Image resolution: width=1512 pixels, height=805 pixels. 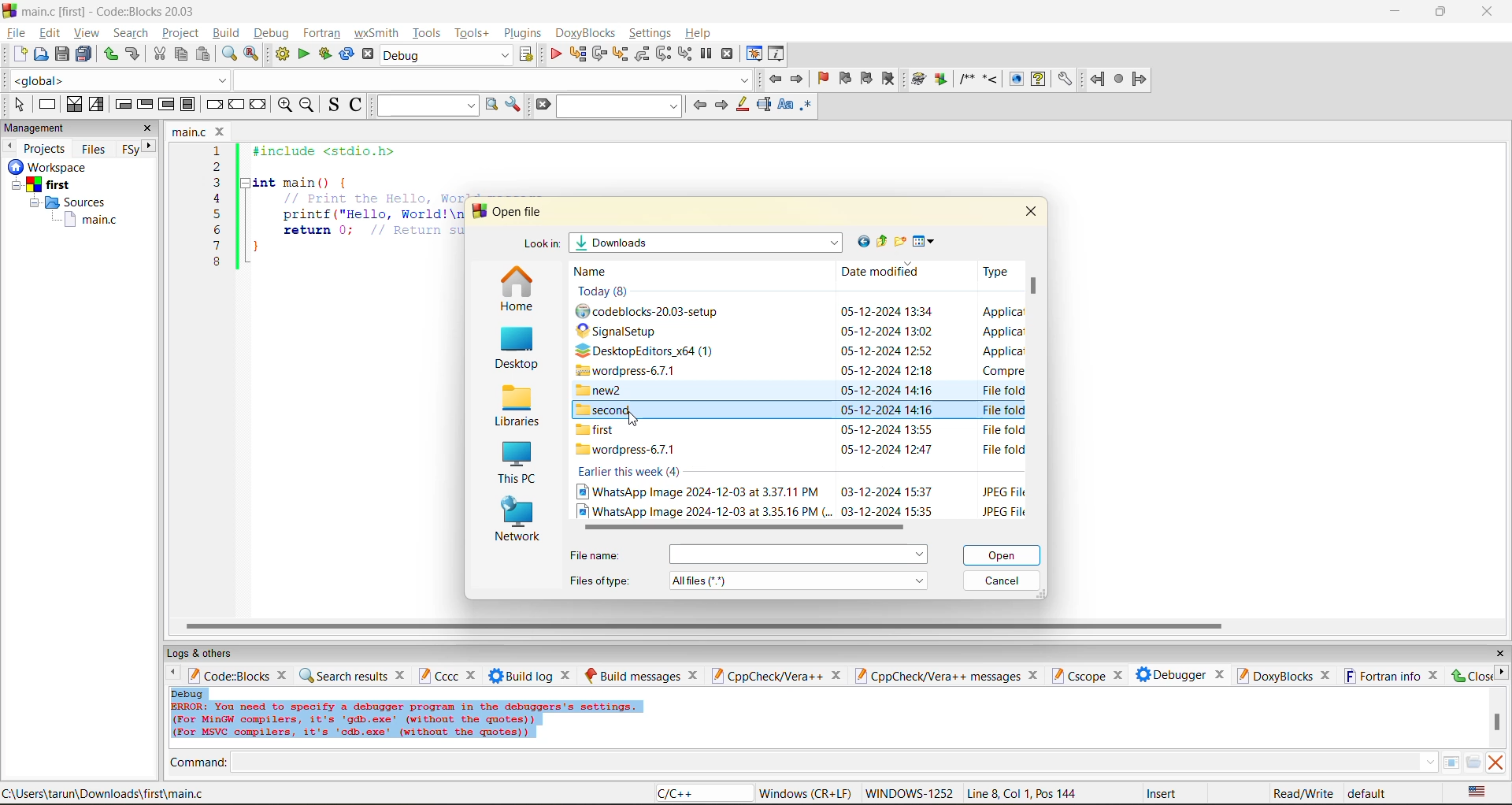 I want to click on 2, so click(x=217, y=167).